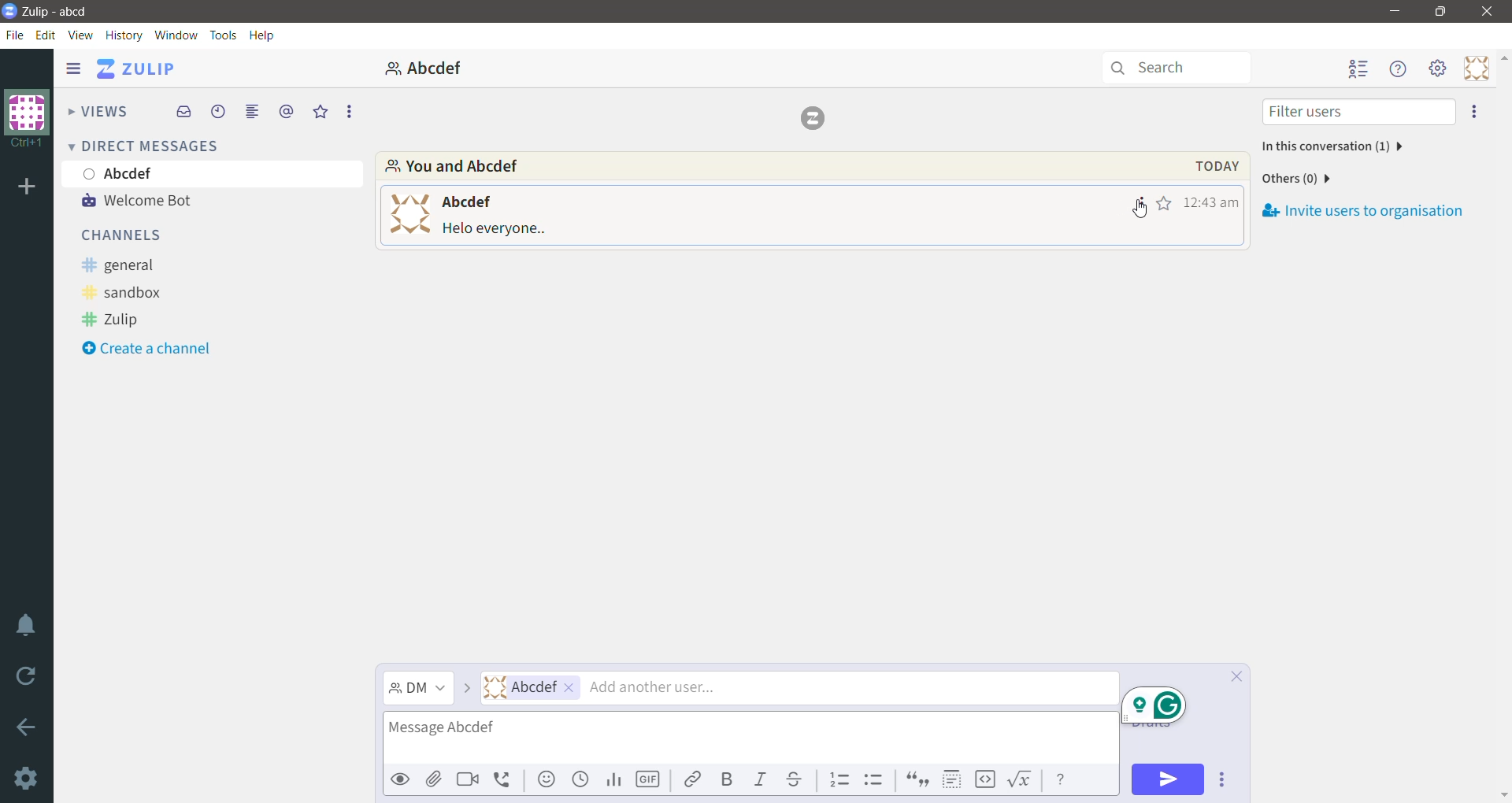  Describe the element at coordinates (1221, 779) in the screenshot. I see `Send Options` at that location.